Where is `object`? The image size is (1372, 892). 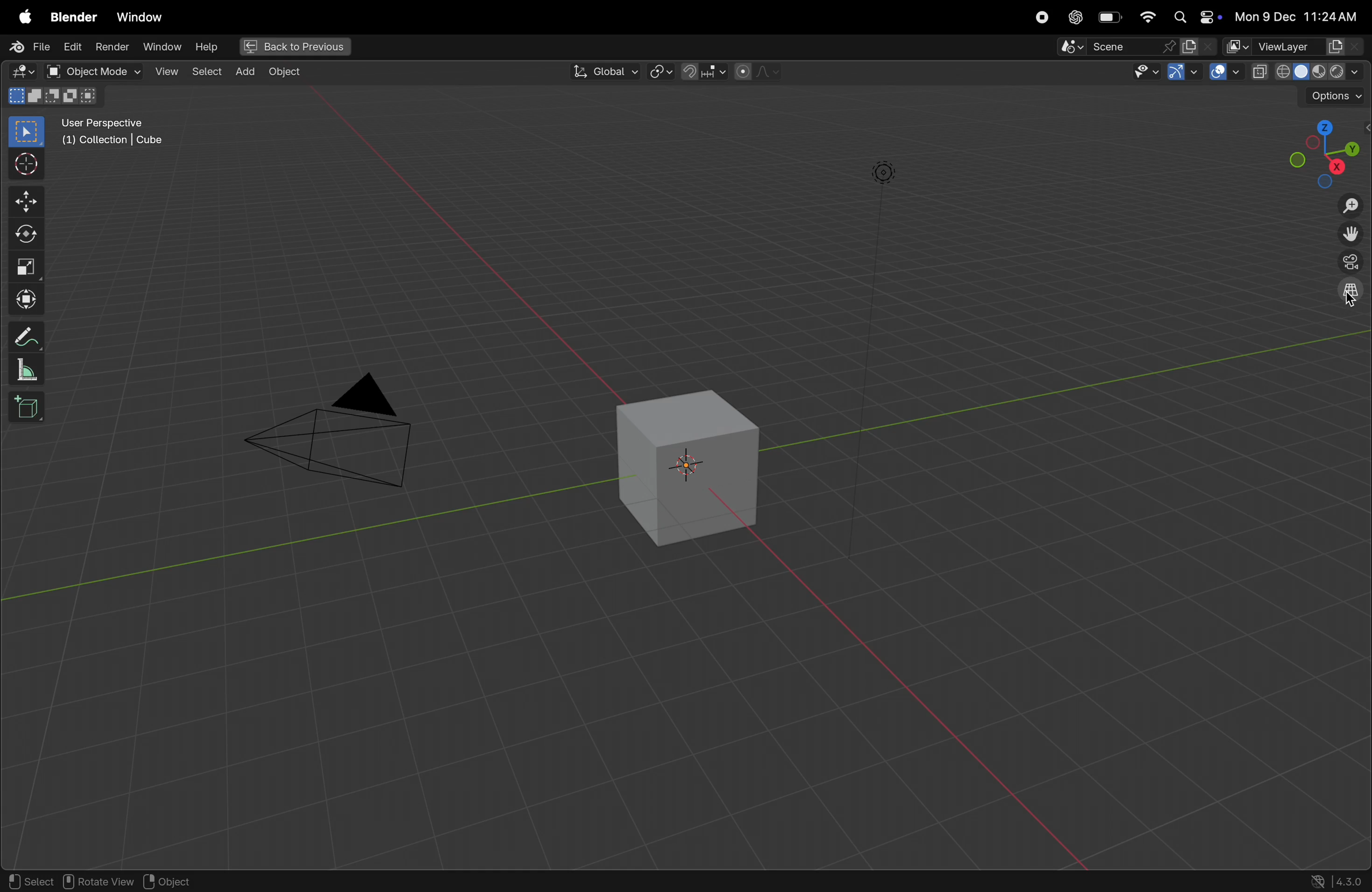 object is located at coordinates (177, 880).